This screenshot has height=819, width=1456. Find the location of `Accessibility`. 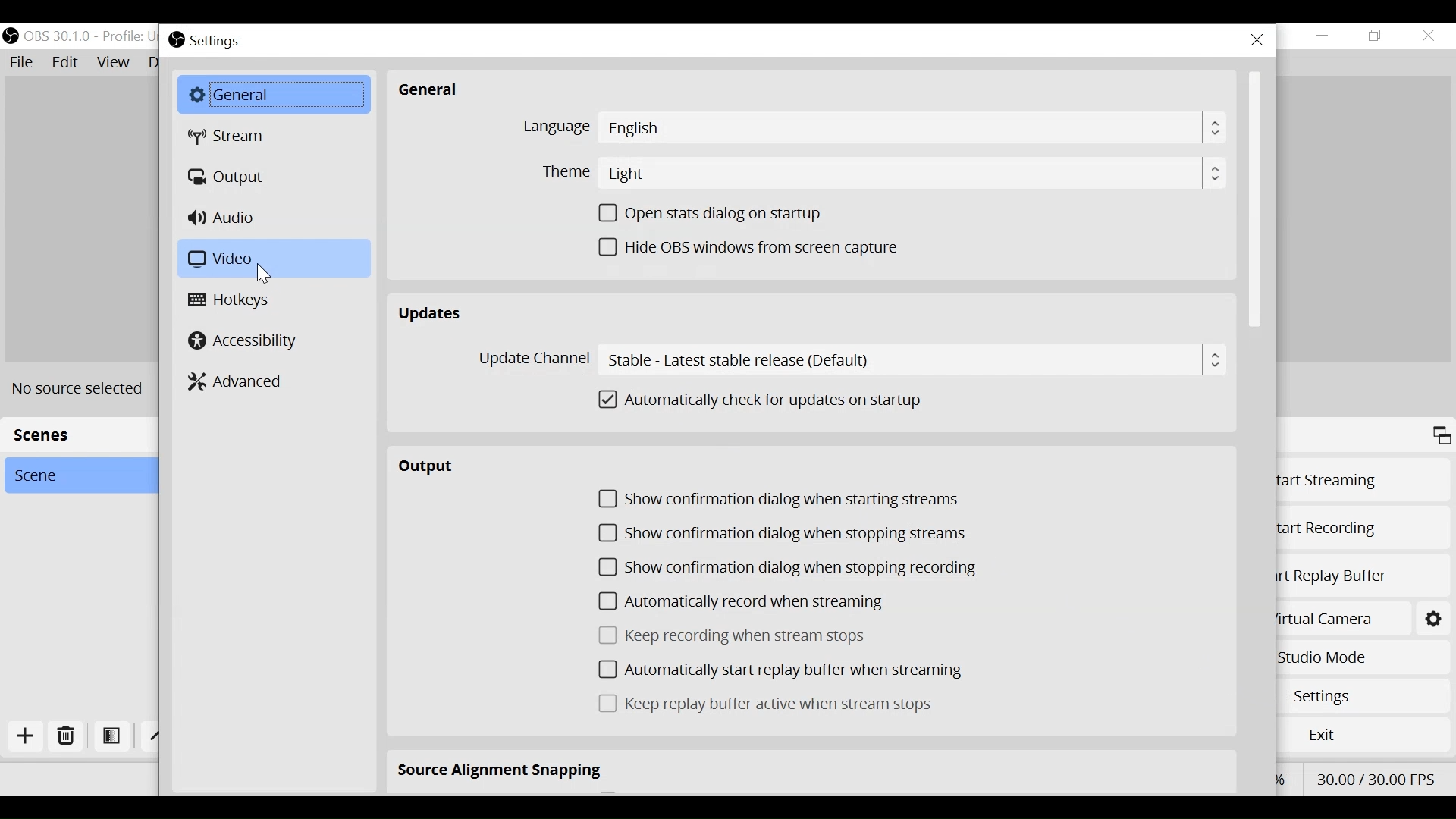

Accessibility is located at coordinates (243, 340).